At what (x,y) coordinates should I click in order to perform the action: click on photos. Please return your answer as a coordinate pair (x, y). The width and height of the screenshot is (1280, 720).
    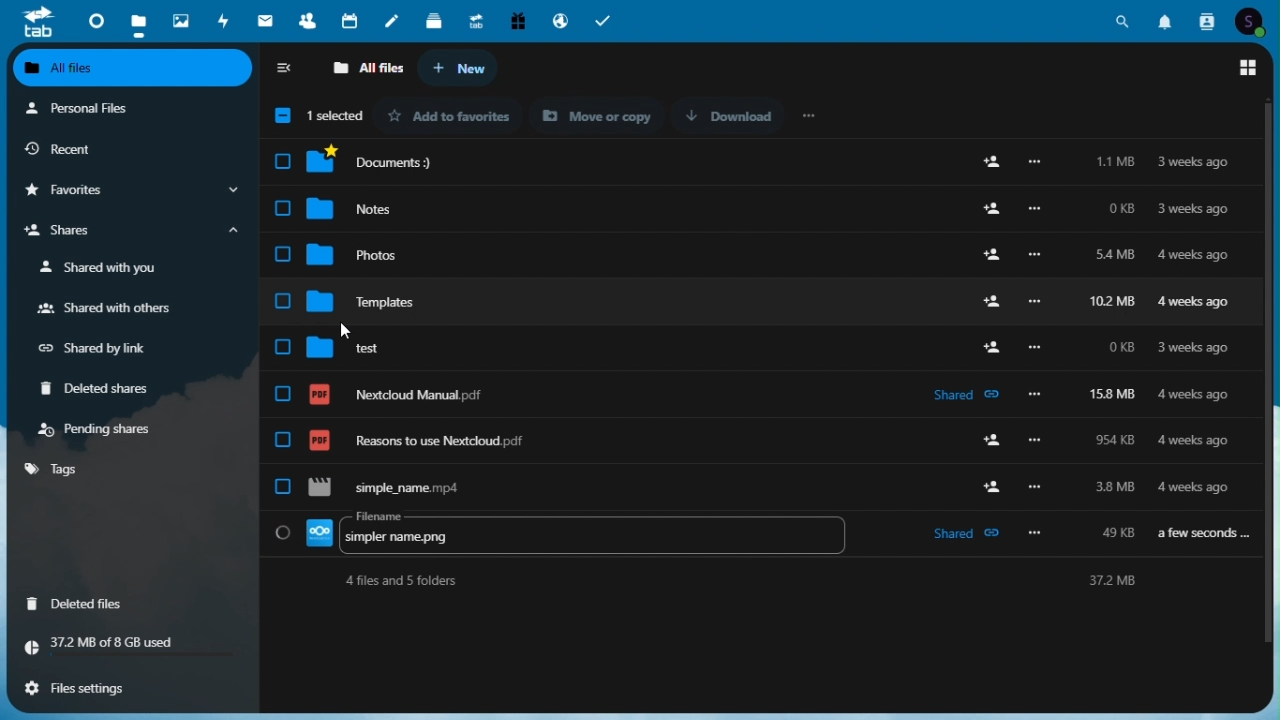
    Looking at the image, I should click on (179, 17).